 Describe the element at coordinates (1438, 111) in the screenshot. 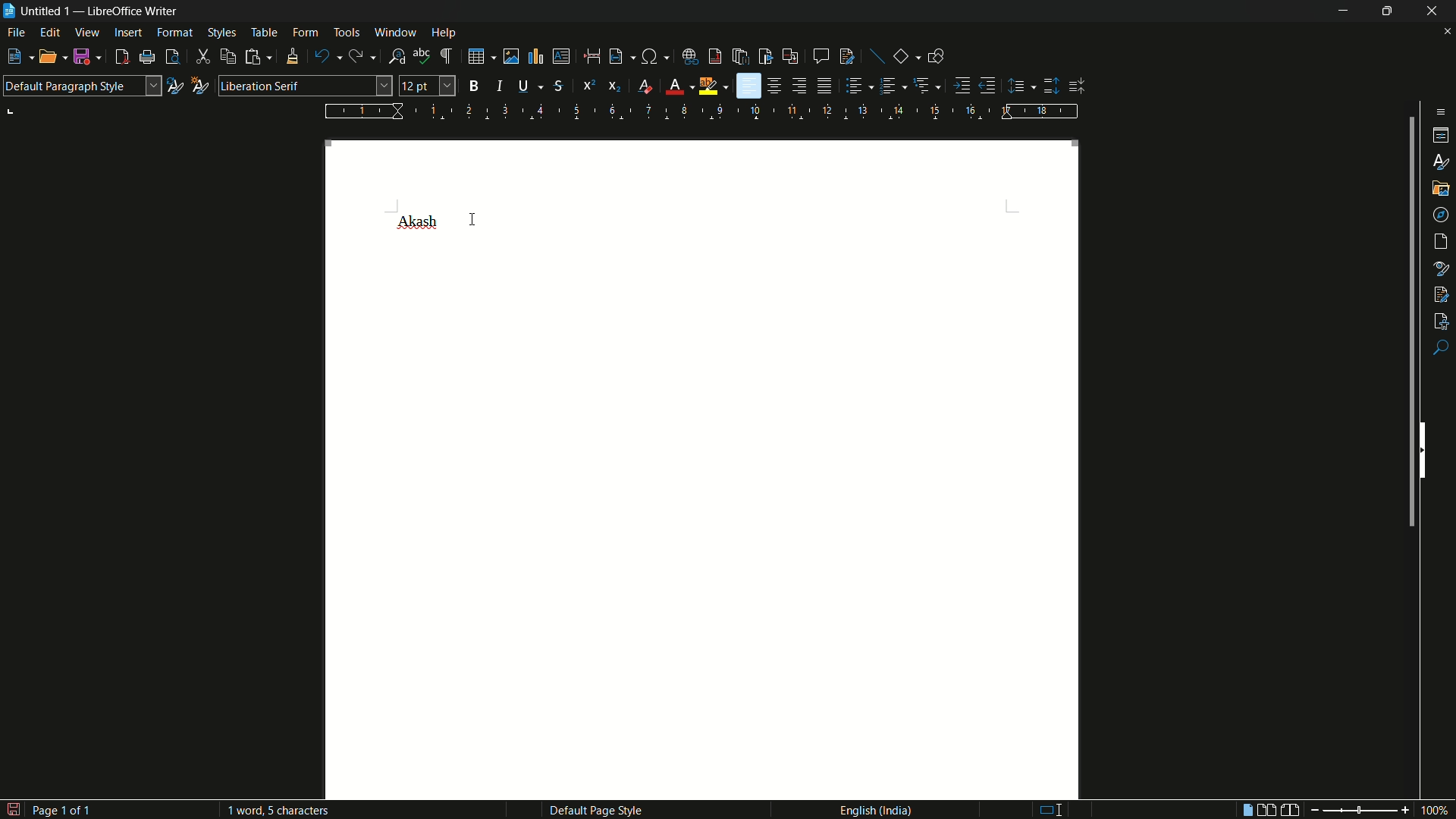

I see `sidebar settings` at that location.